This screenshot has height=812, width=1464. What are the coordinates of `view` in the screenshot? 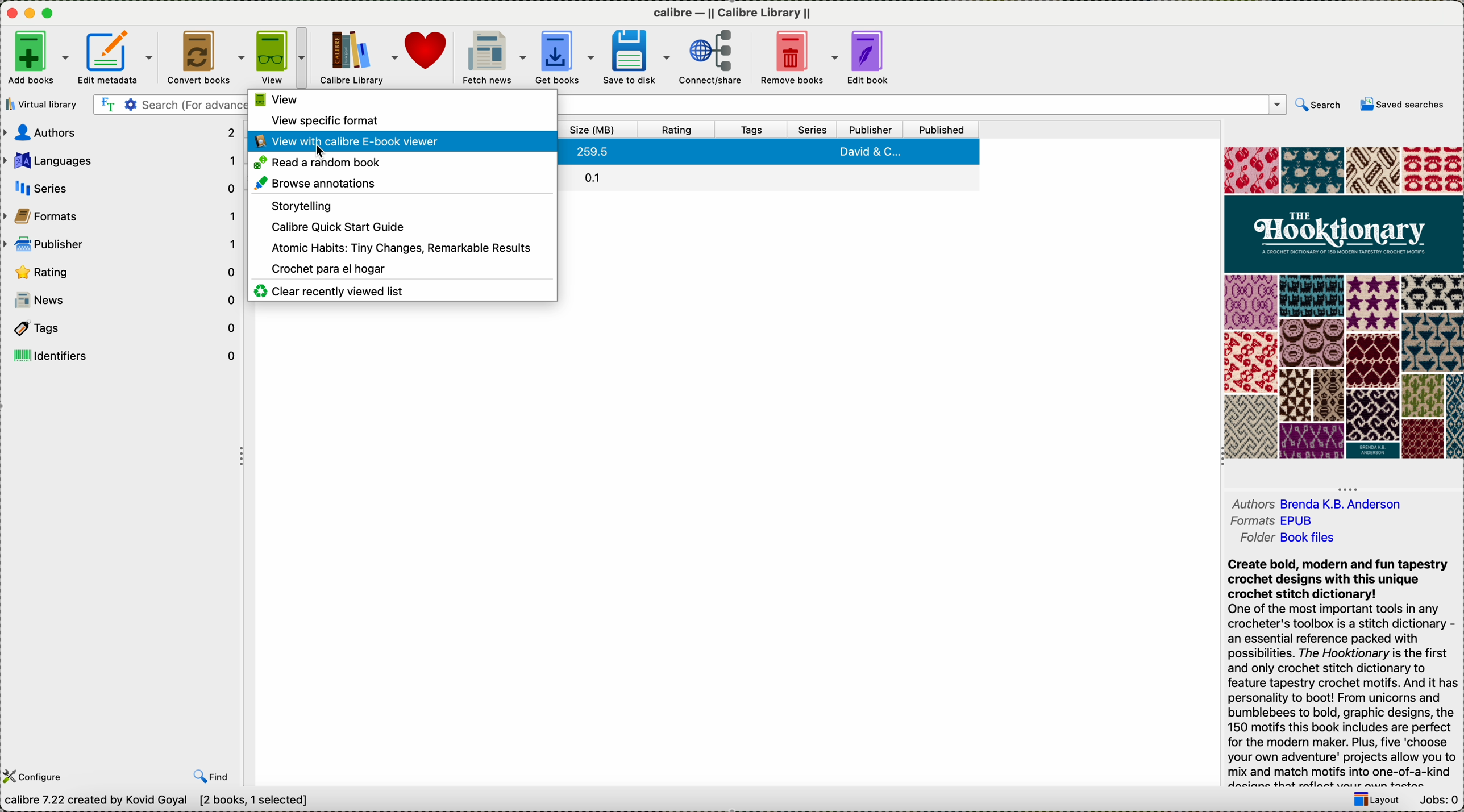 It's located at (275, 100).